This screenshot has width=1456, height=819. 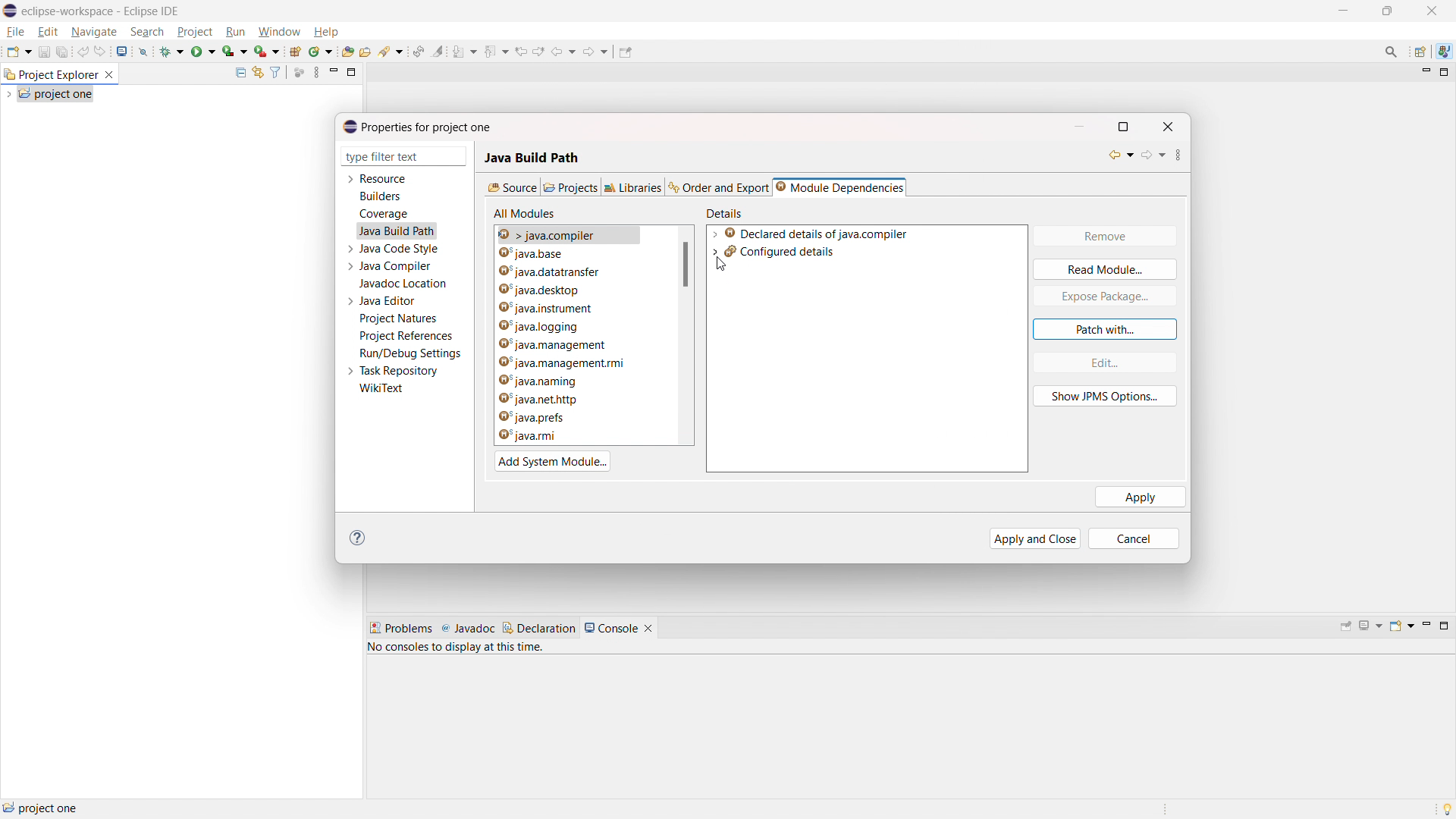 I want to click on cancel, so click(x=1141, y=538).